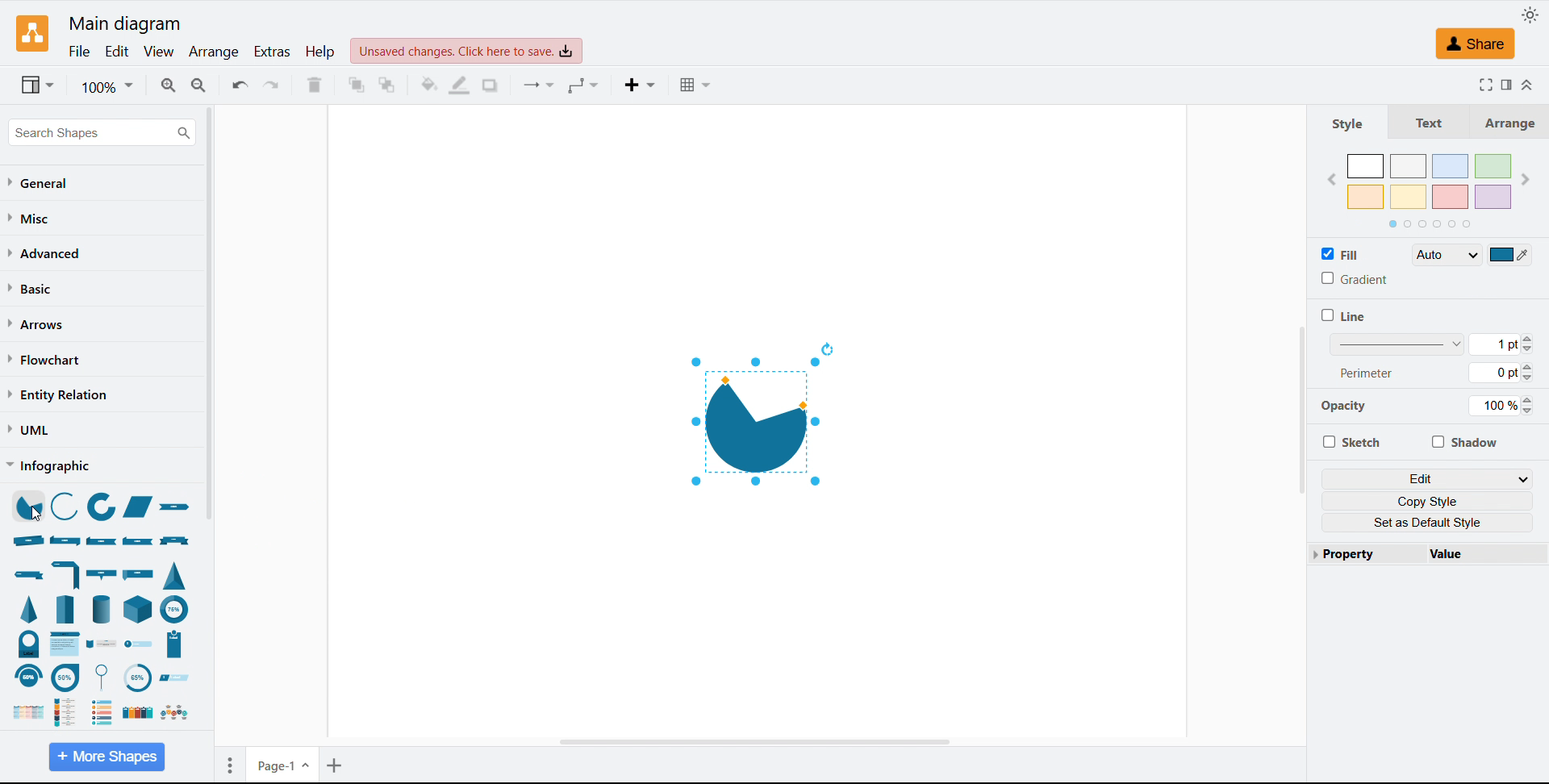  What do you see at coordinates (1399, 346) in the screenshot?
I see `line width` at bounding box center [1399, 346].